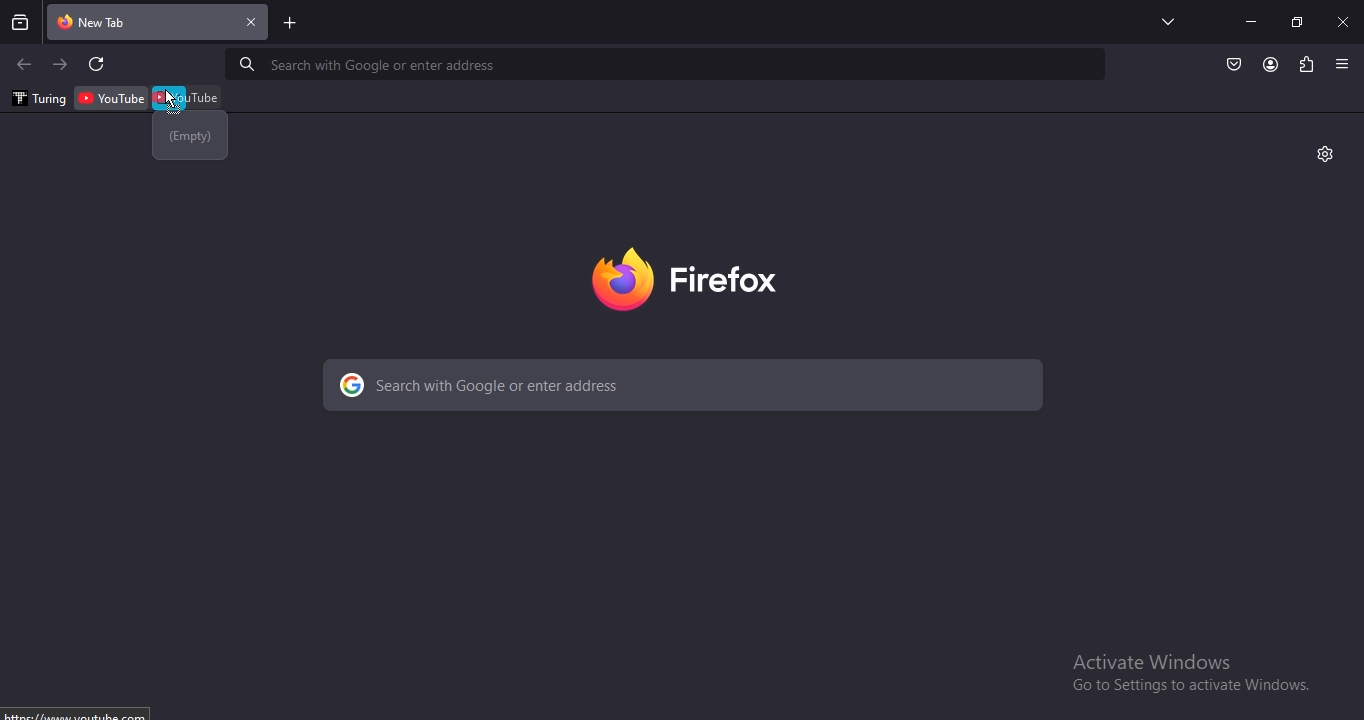 Image resolution: width=1364 pixels, height=720 pixels. I want to click on , so click(1234, 65).